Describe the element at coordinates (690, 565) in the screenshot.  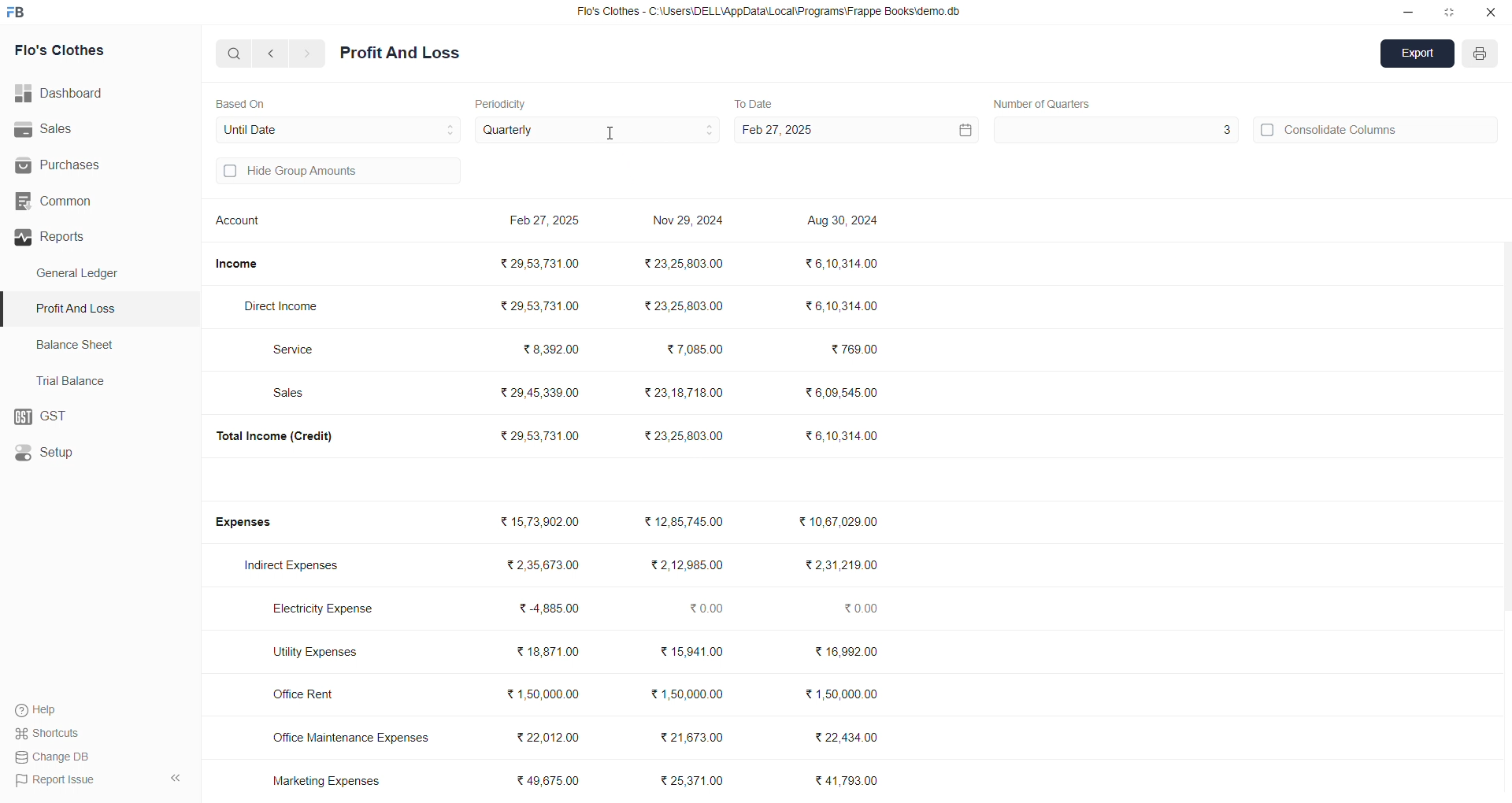
I see `₹2,12,985.00` at that location.